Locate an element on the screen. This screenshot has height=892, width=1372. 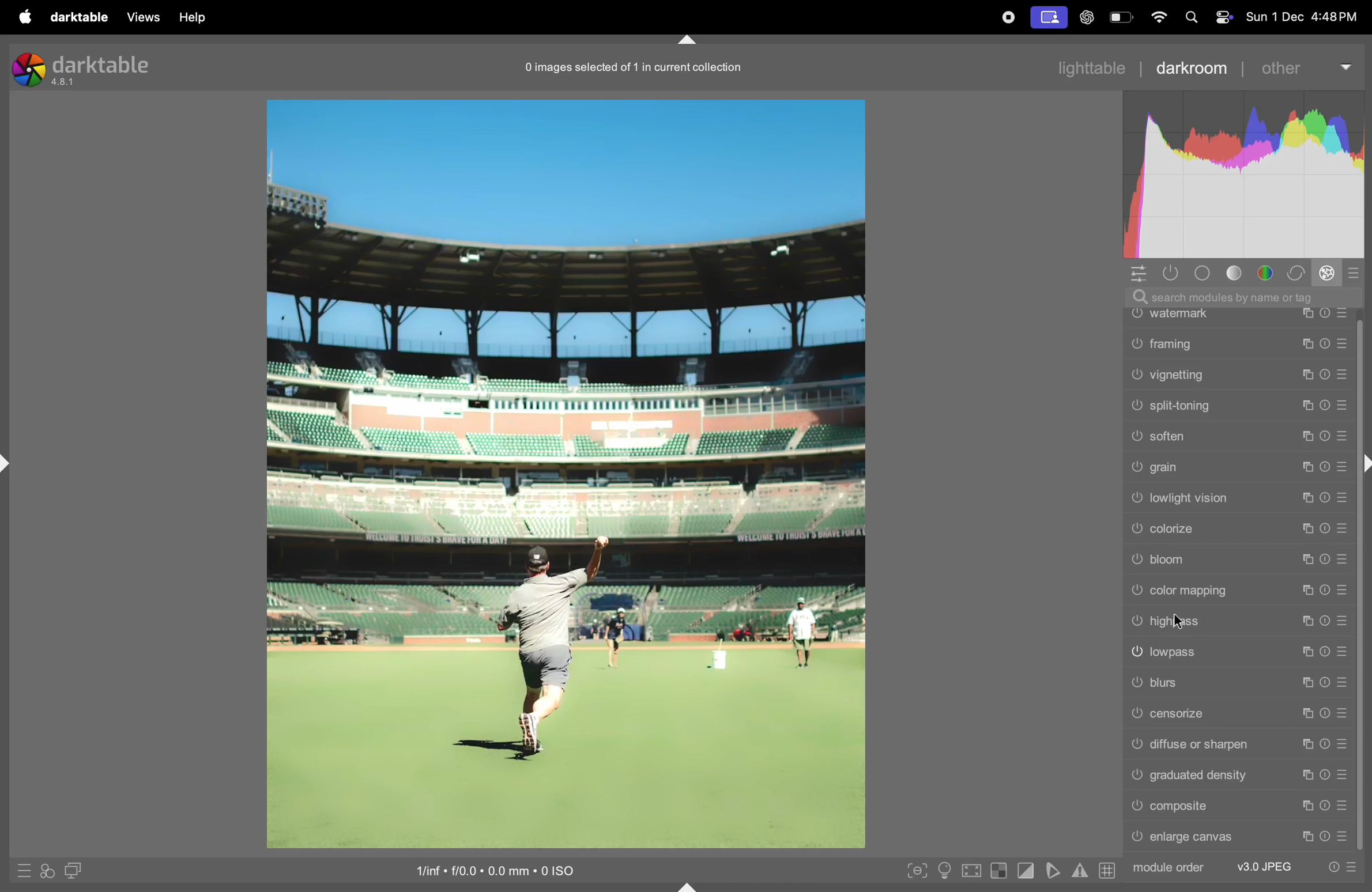
toggle guidelines is located at coordinates (1107, 870).